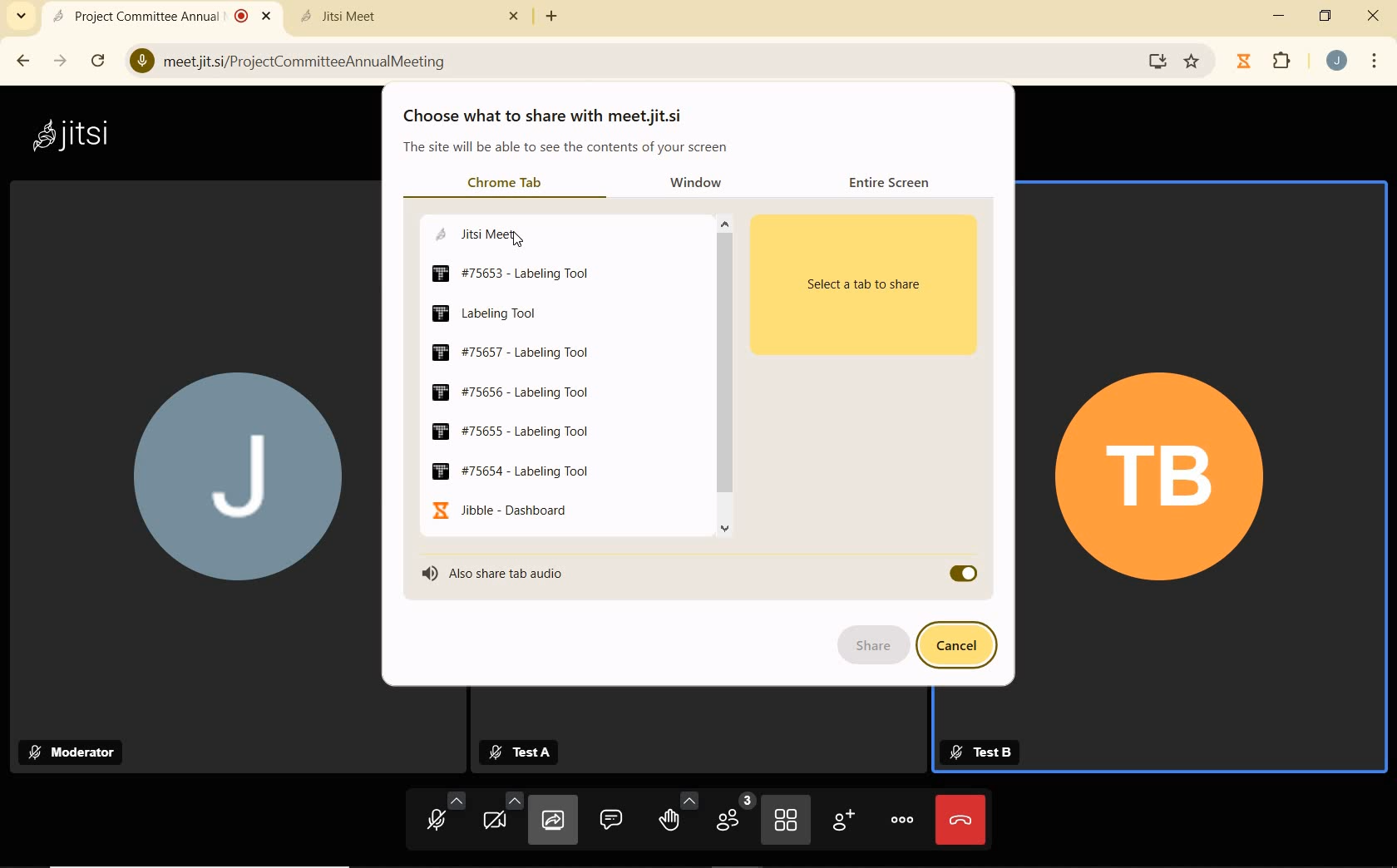  Describe the element at coordinates (527, 752) in the screenshot. I see `Test A` at that location.